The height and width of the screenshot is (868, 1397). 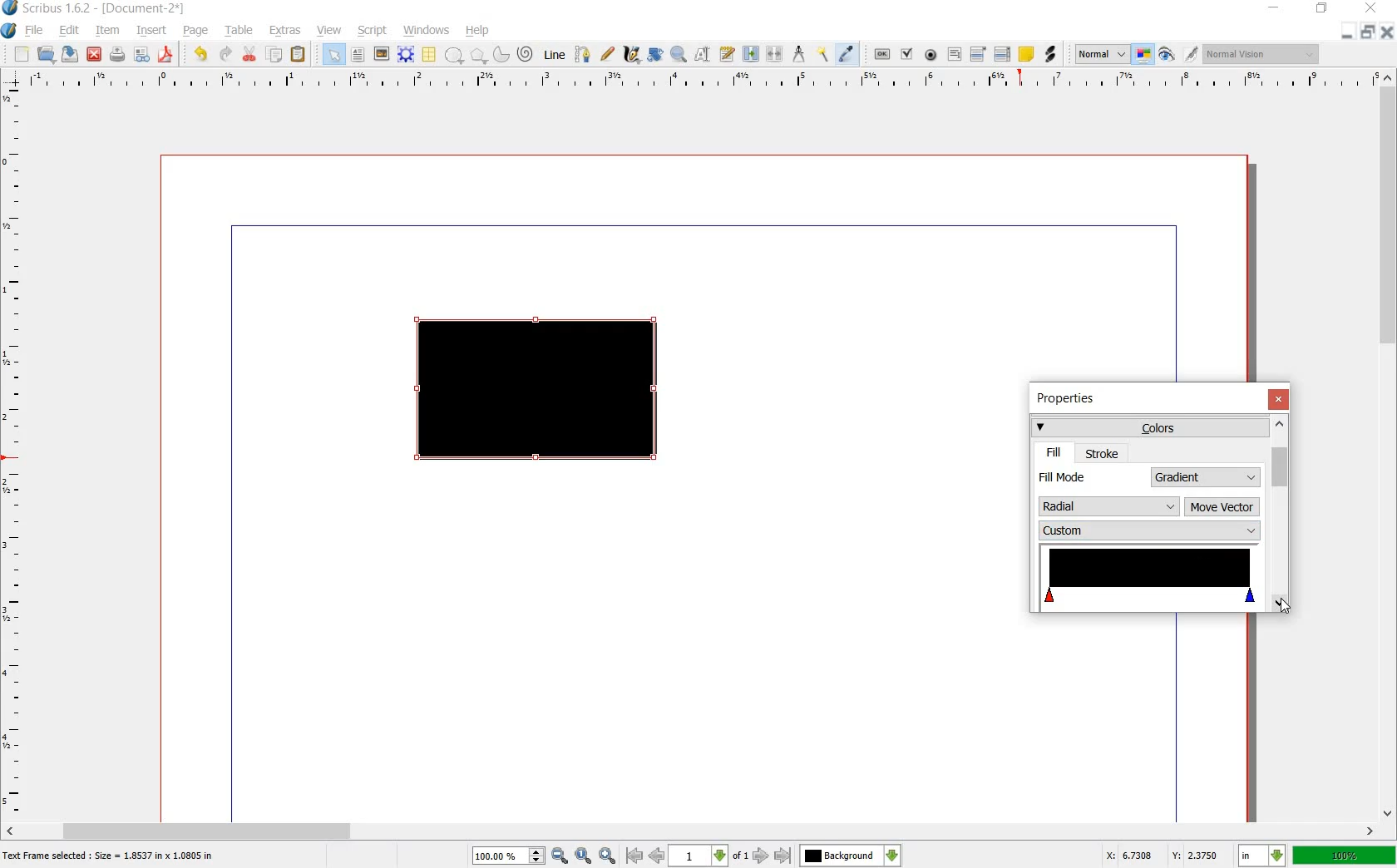 What do you see at coordinates (500, 53) in the screenshot?
I see `arc` at bounding box center [500, 53].